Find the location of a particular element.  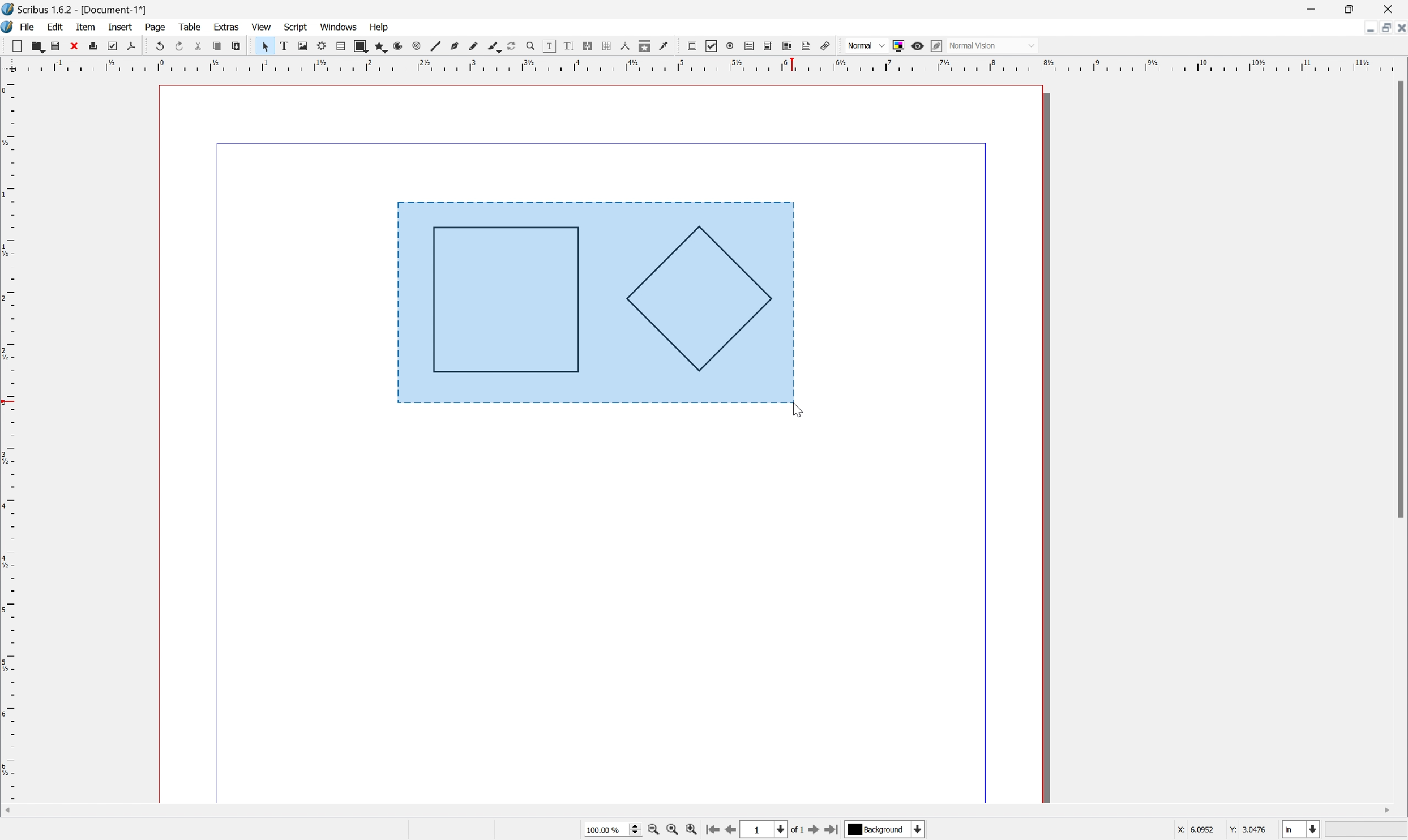

redo is located at coordinates (177, 47).